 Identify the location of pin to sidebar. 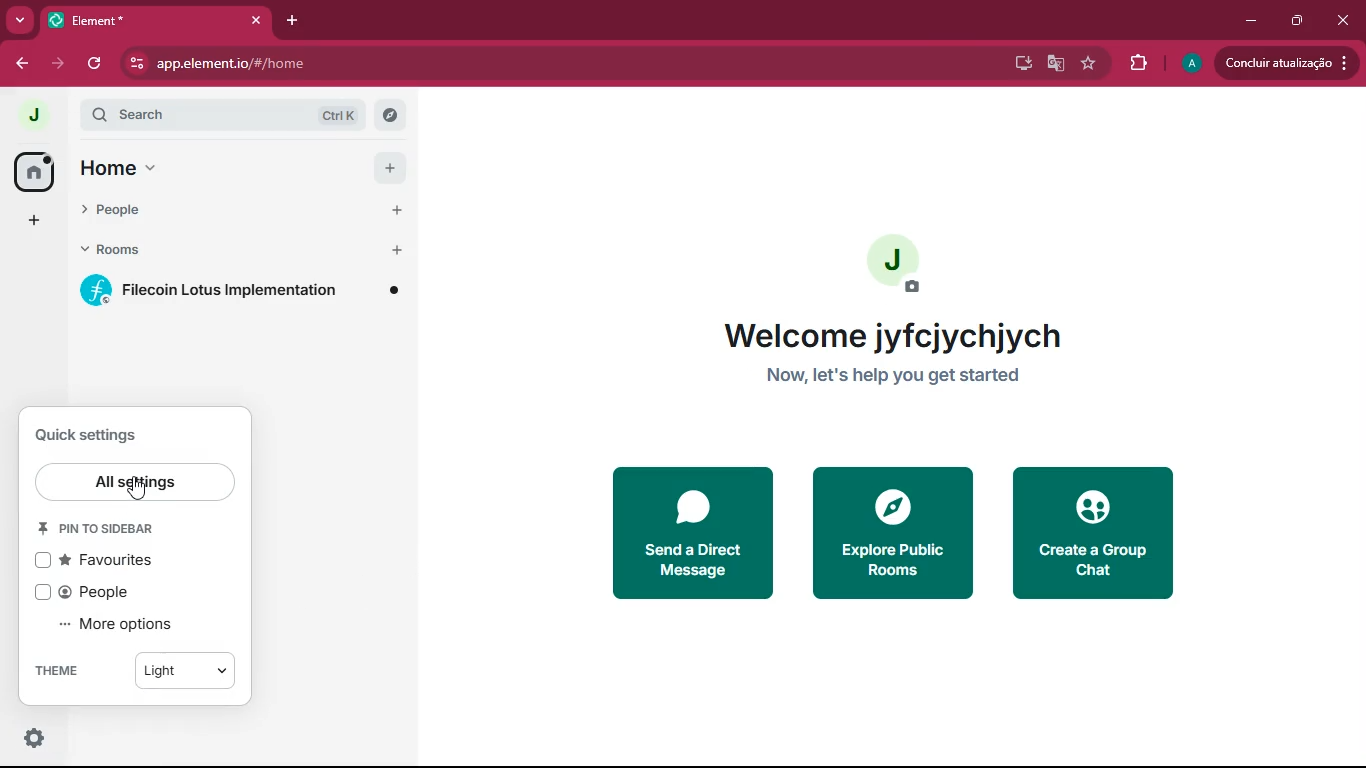
(107, 528).